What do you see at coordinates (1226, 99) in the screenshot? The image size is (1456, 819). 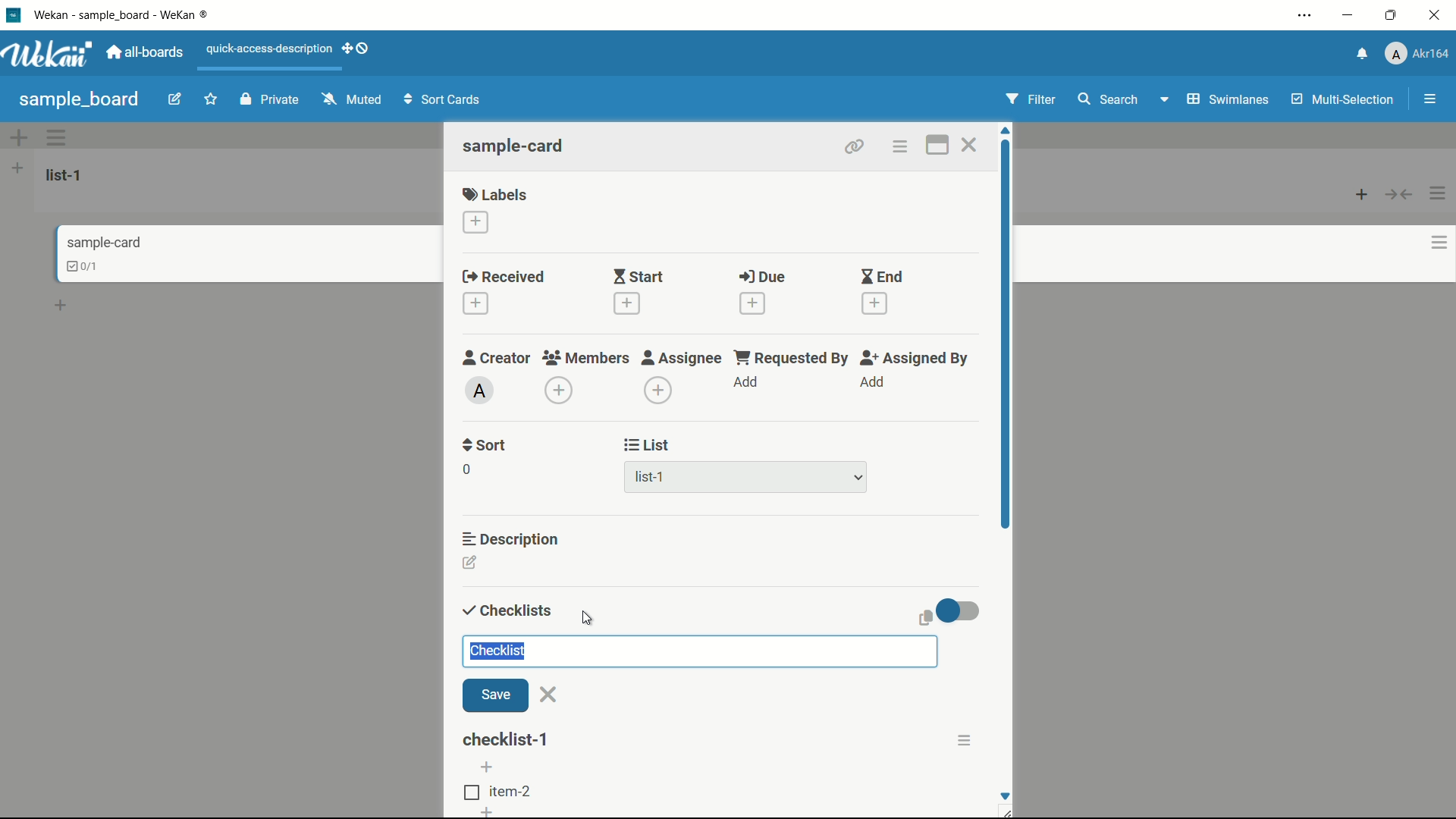 I see `swimlanes` at bounding box center [1226, 99].